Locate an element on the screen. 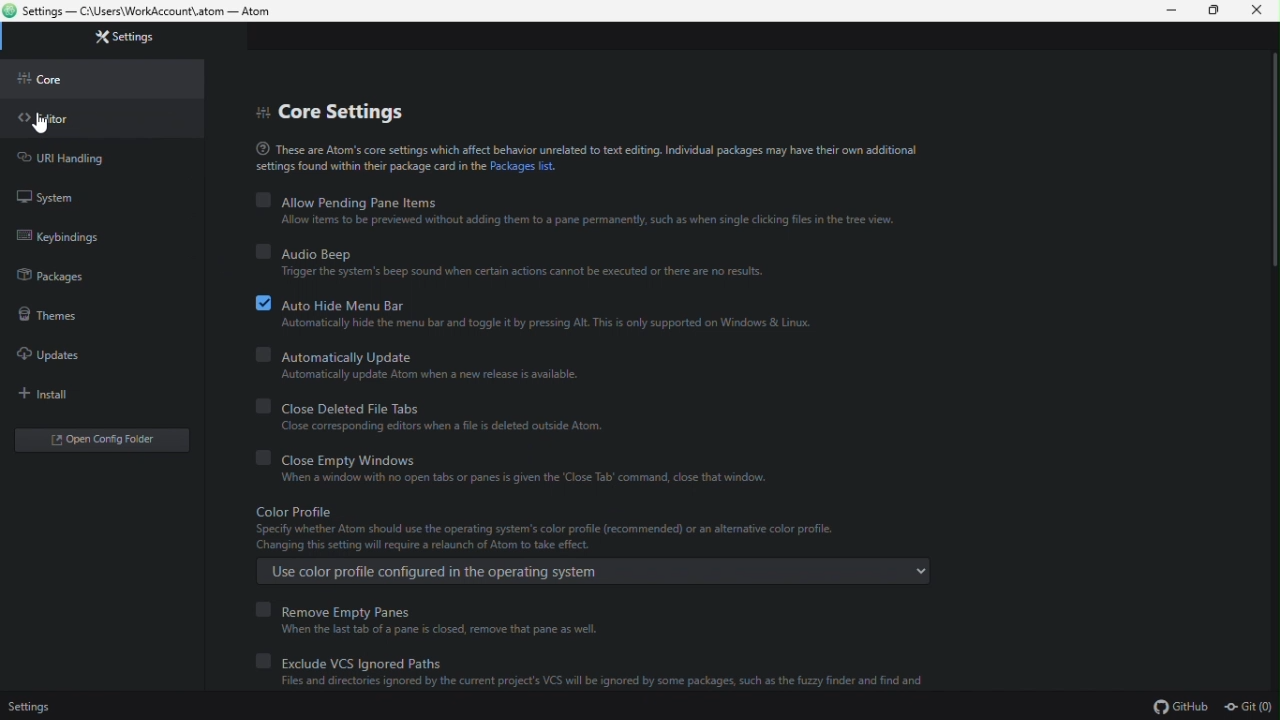  Restore is located at coordinates (1209, 12).